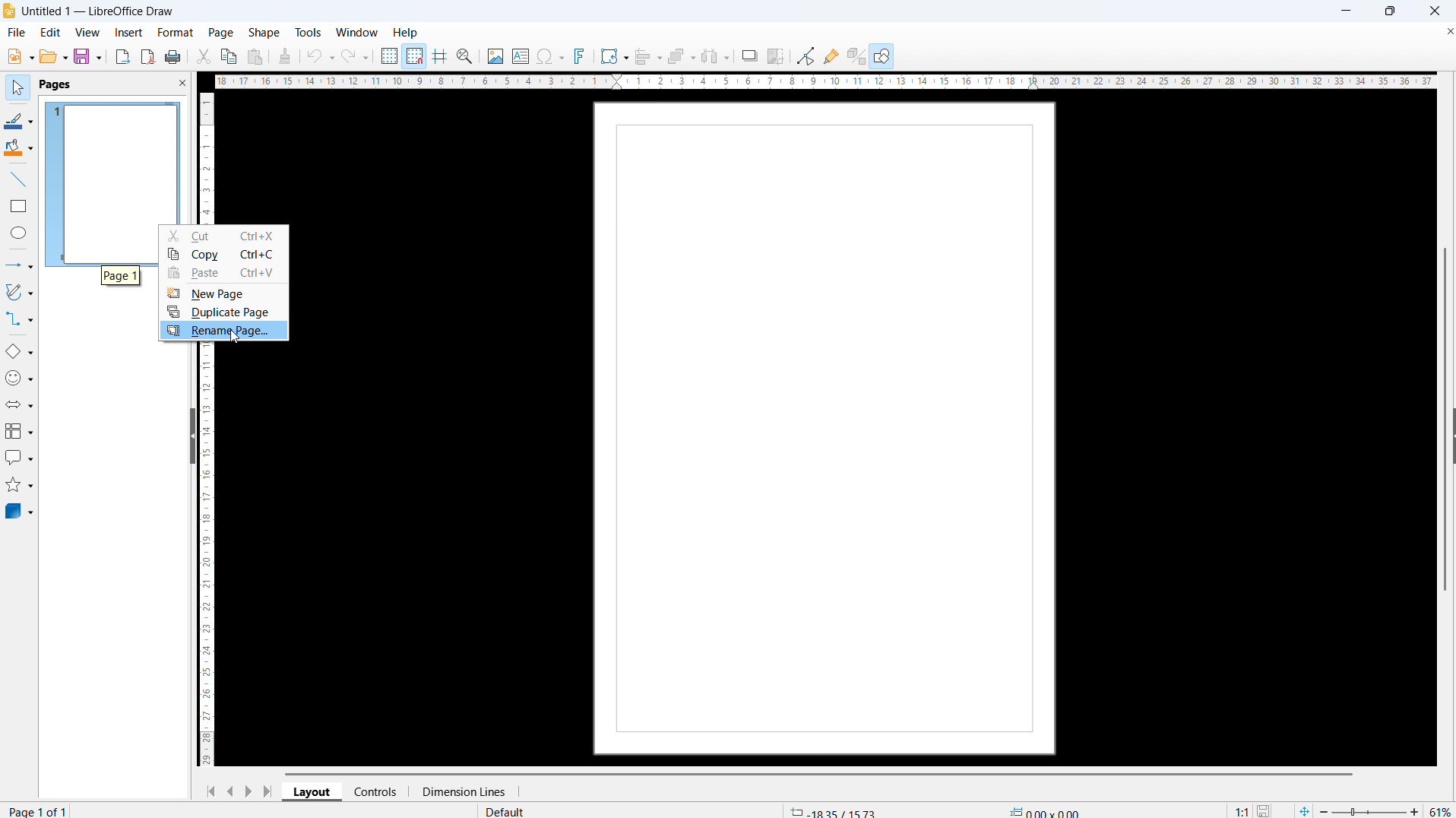  I want to click on maximize, so click(1390, 11).